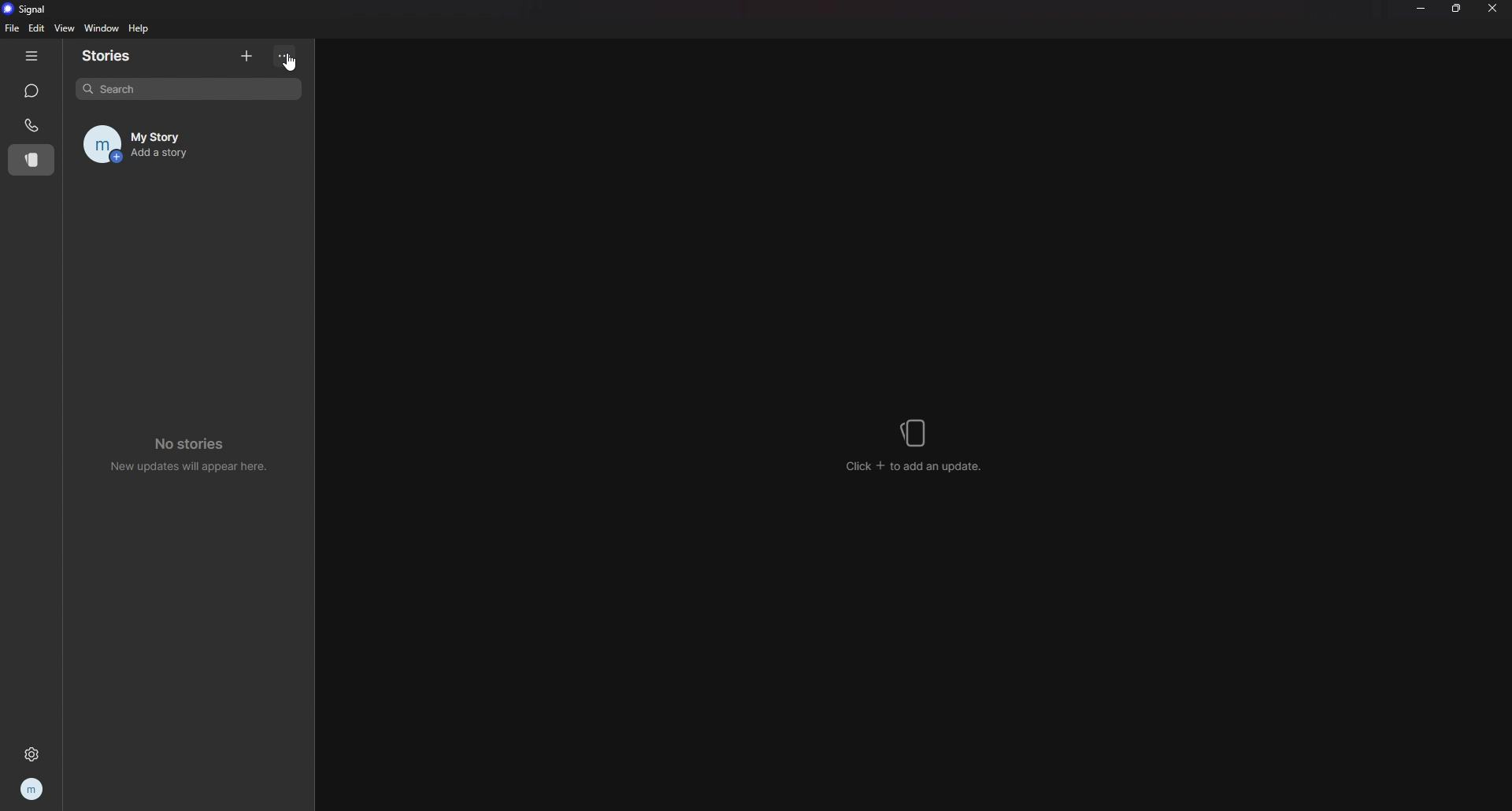 Image resolution: width=1512 pixels, height=811 pixels. I want to click on my story add a story, so click(168, 144).